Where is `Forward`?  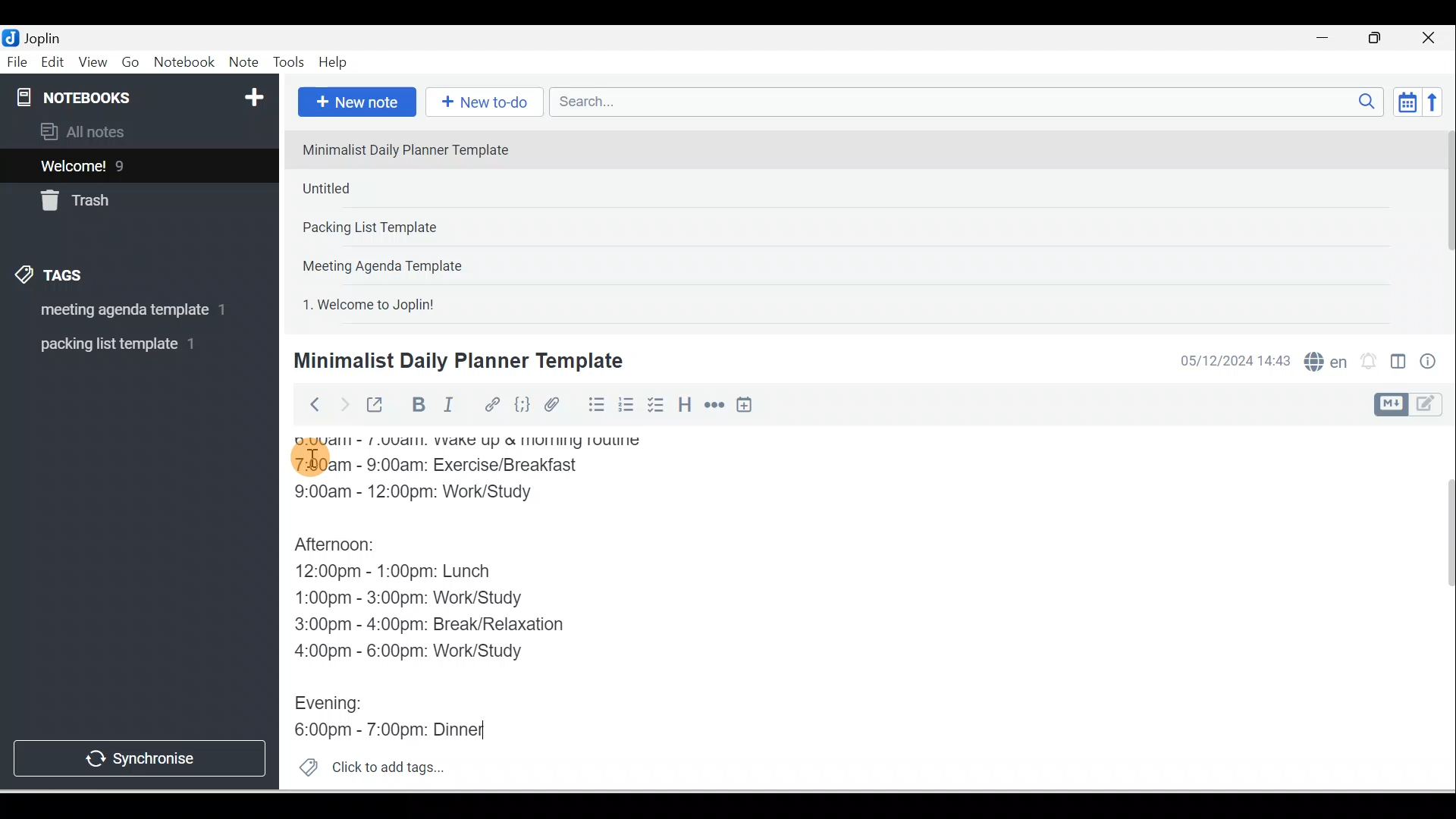
Forward is located at coordinates (343, 403).